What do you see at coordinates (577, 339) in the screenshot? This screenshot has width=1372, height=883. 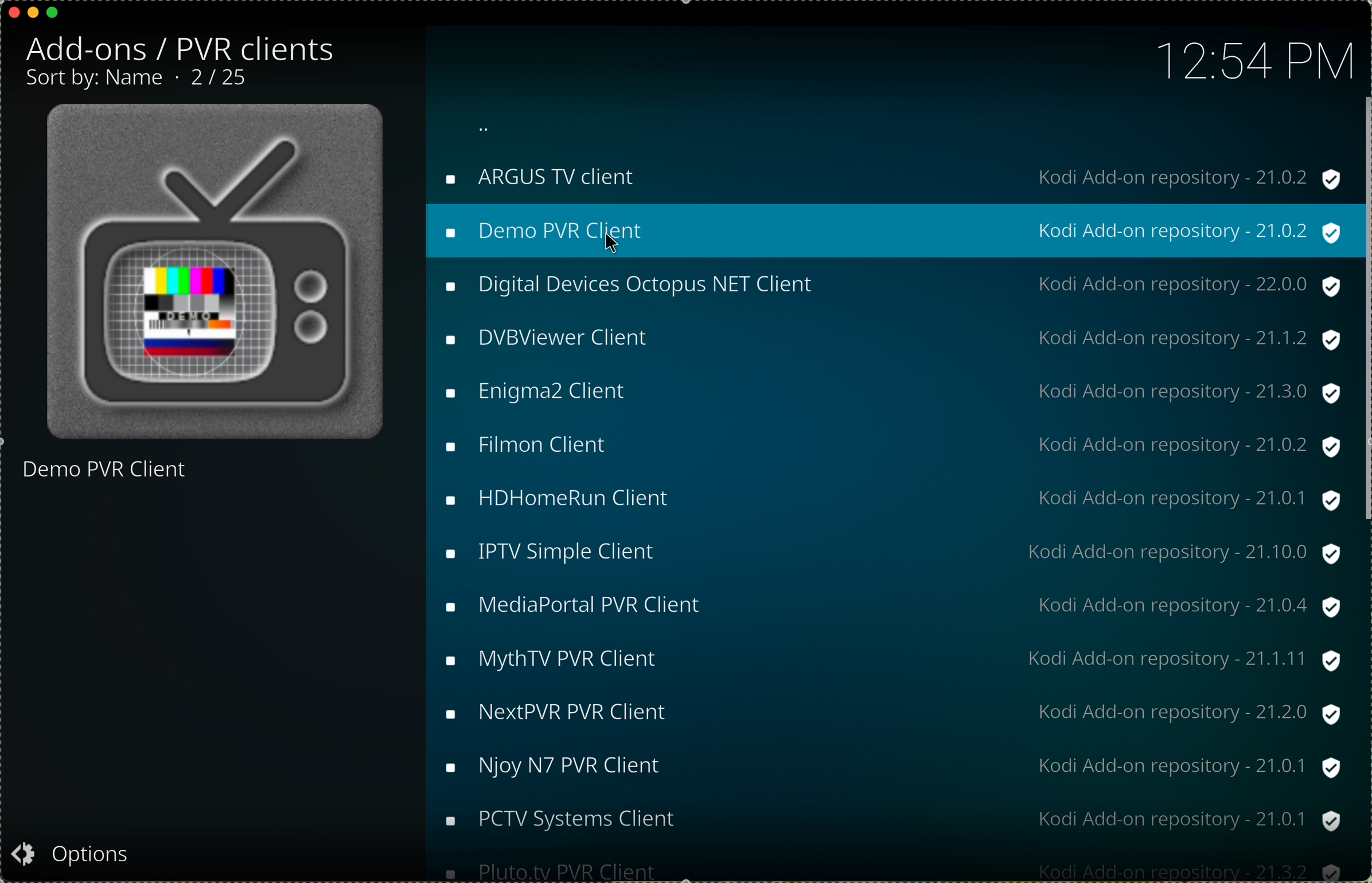 I see `DVBViewer client` at bounding box center [577, 339].